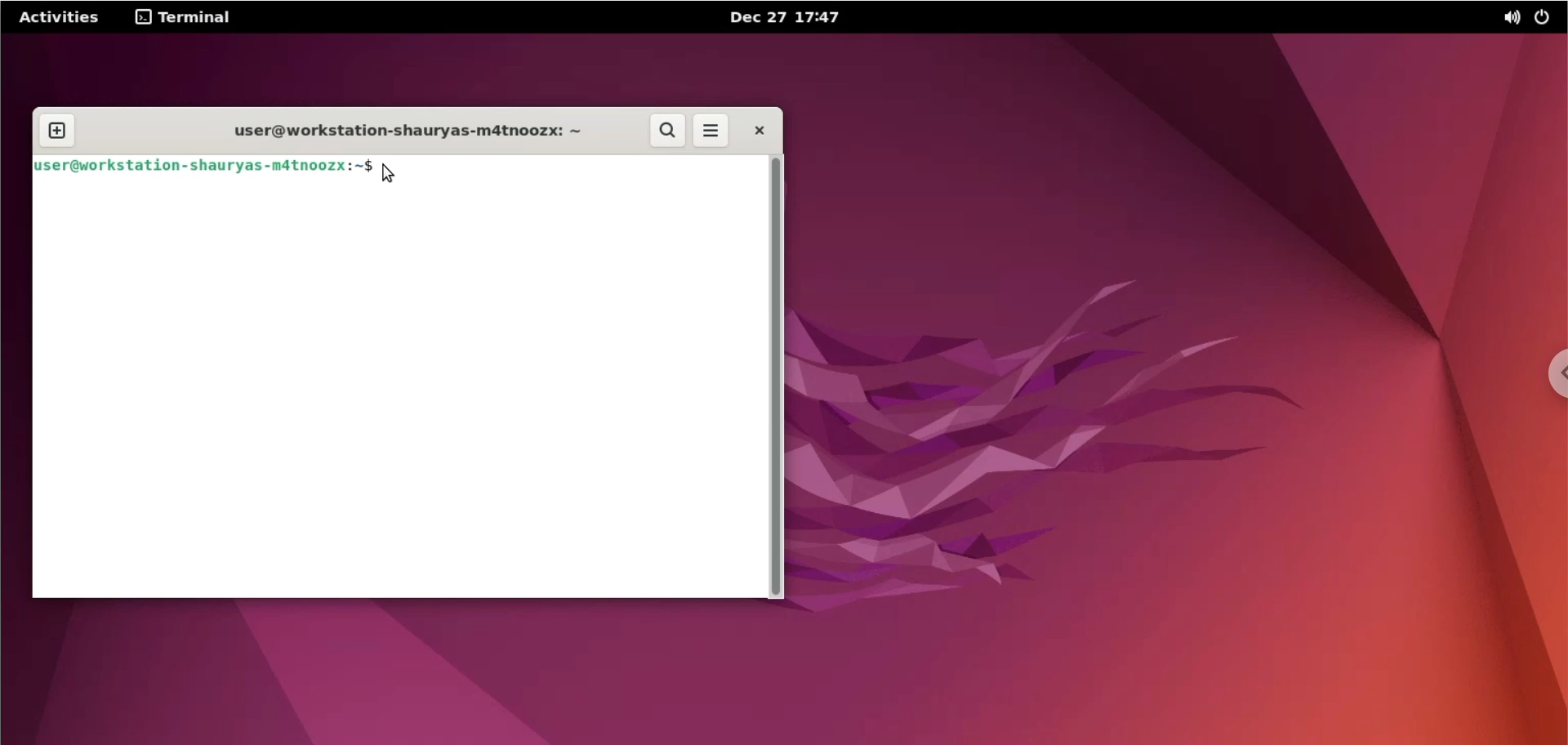 This screenshot has width=1568, height=745. What do you see at coordinates (203, 164) in the screenshot?
I see `user@workstation-shauryas-m4tnoozx:~$` at bounding box center [203, 164].